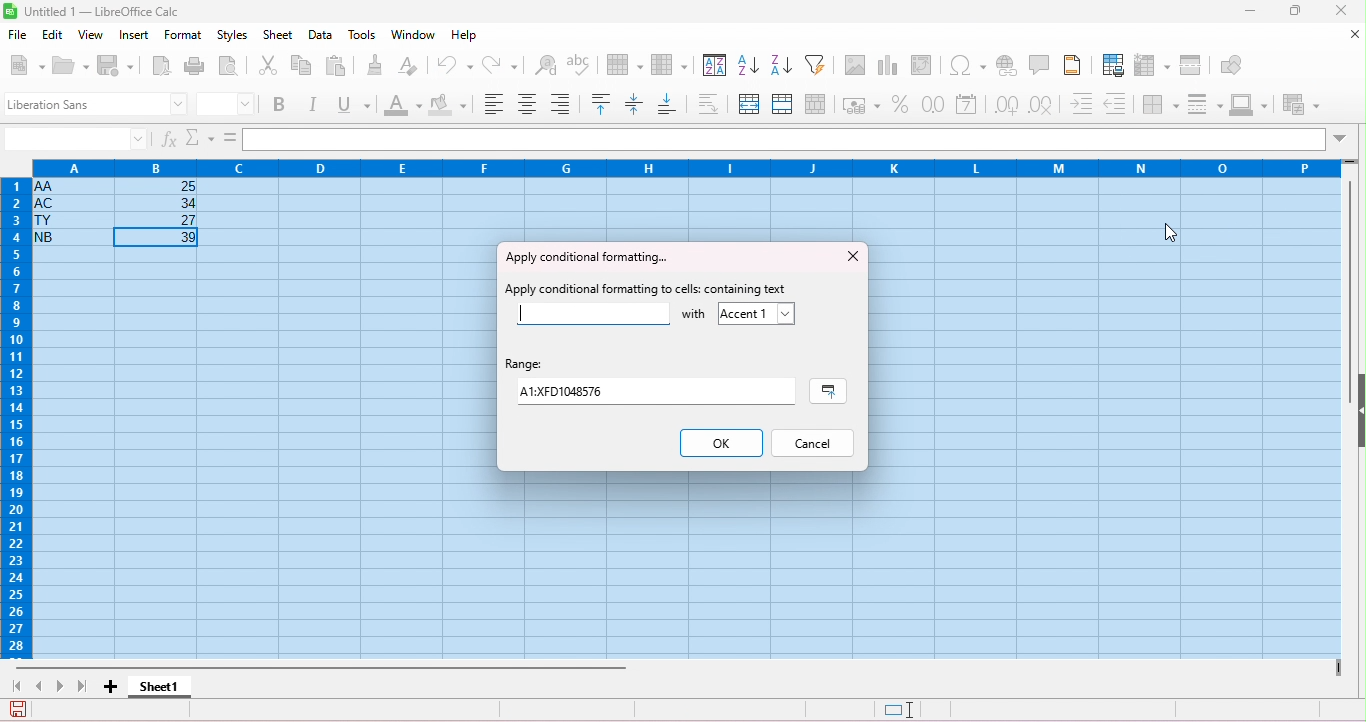 The image size is (1366, 722). Describe the element at coordinates (819, 64) in the screenshot. I see `filter` at that location.